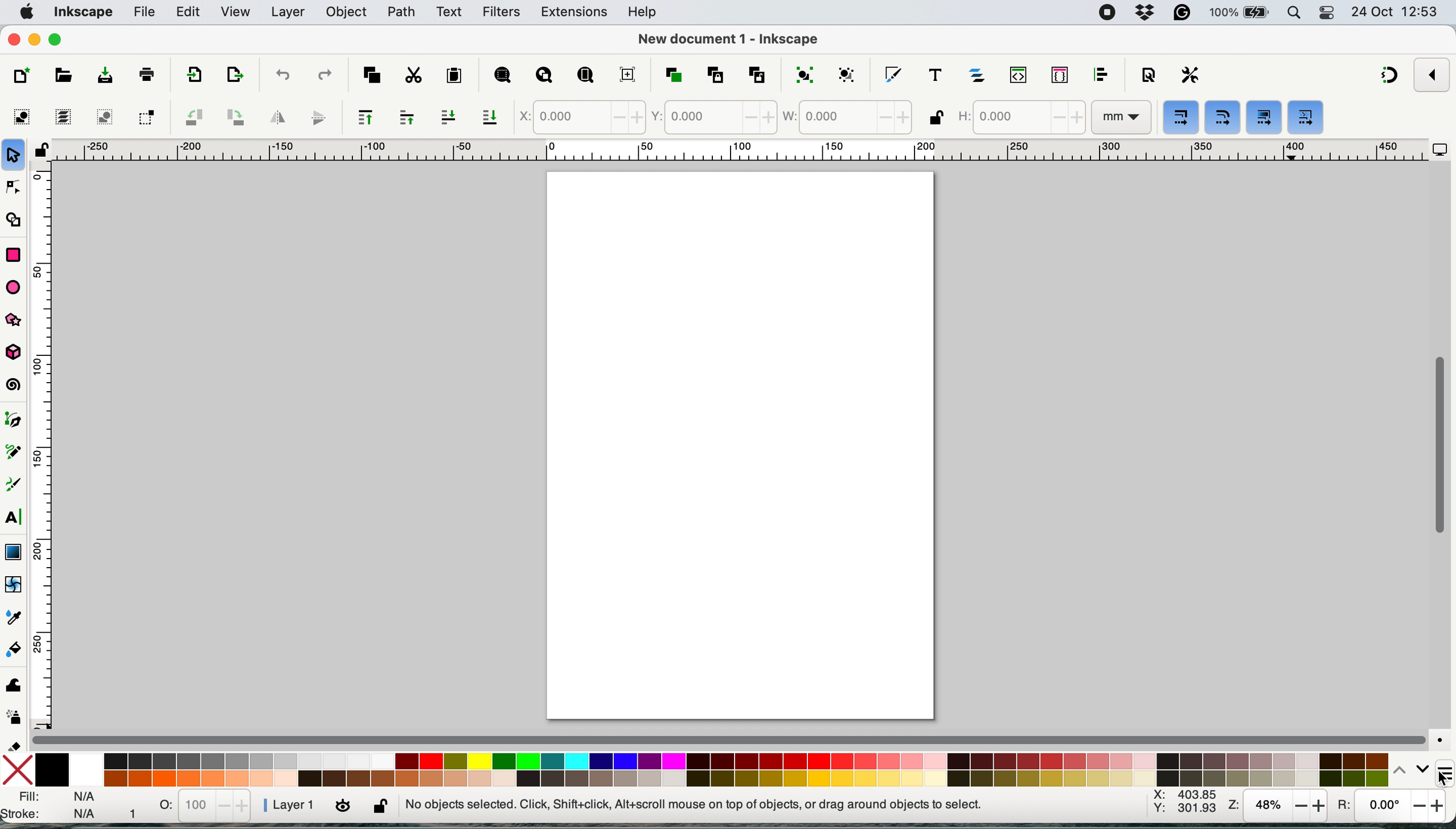  Describe the element at coordinates (1385, 77) in the screenshot. I see `snapping` at that location.